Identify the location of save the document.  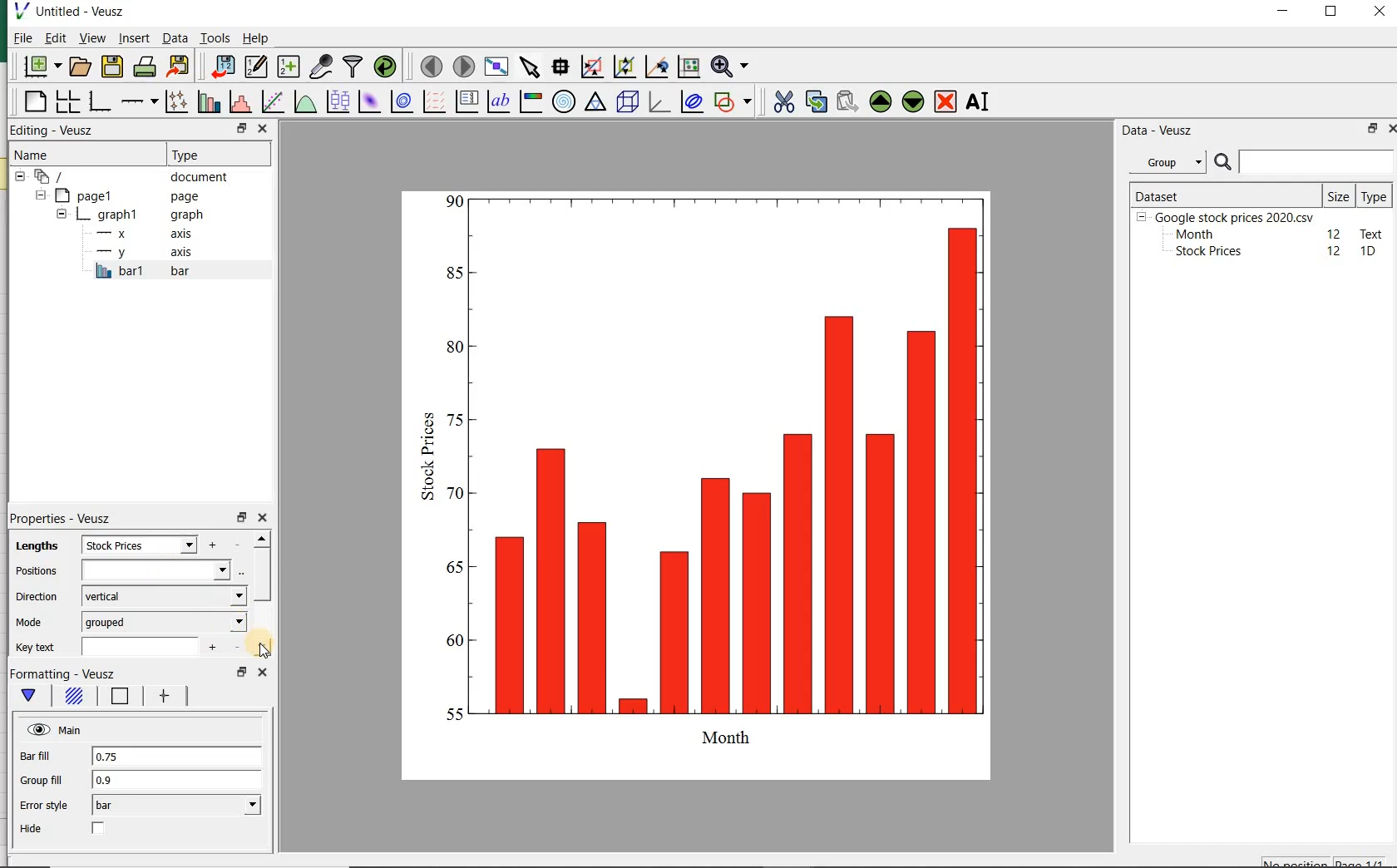
(112, 67).